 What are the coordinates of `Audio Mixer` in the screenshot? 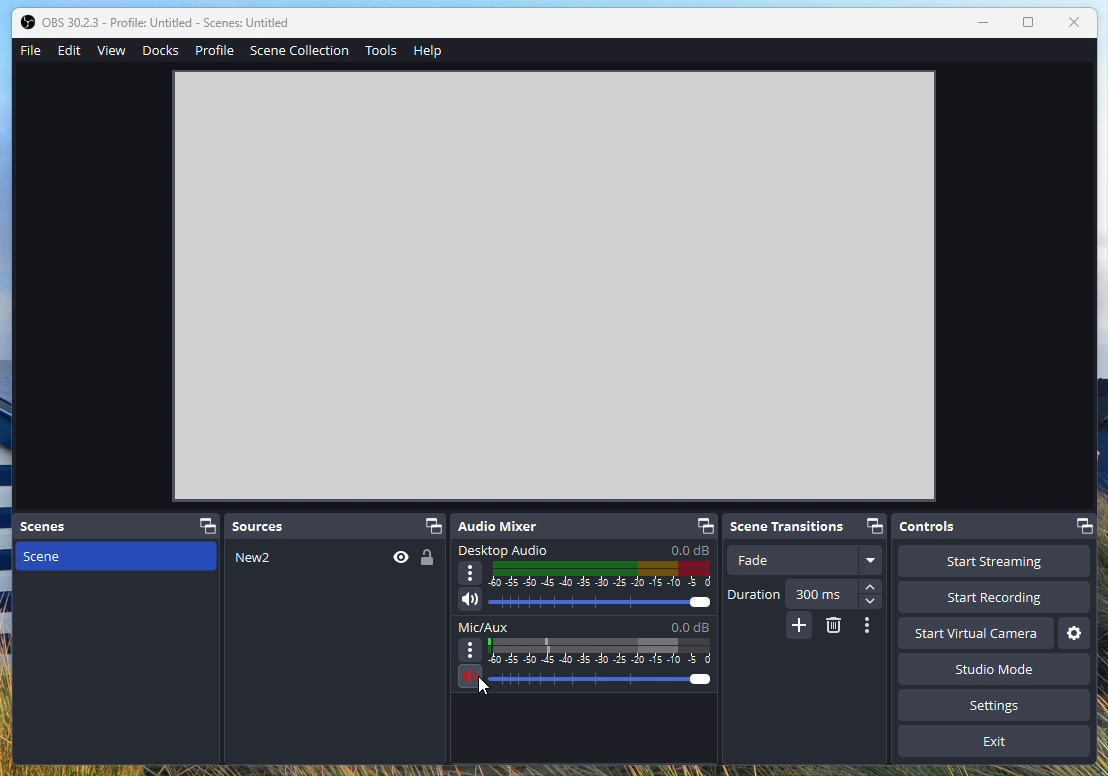 It's located at (584, 527).